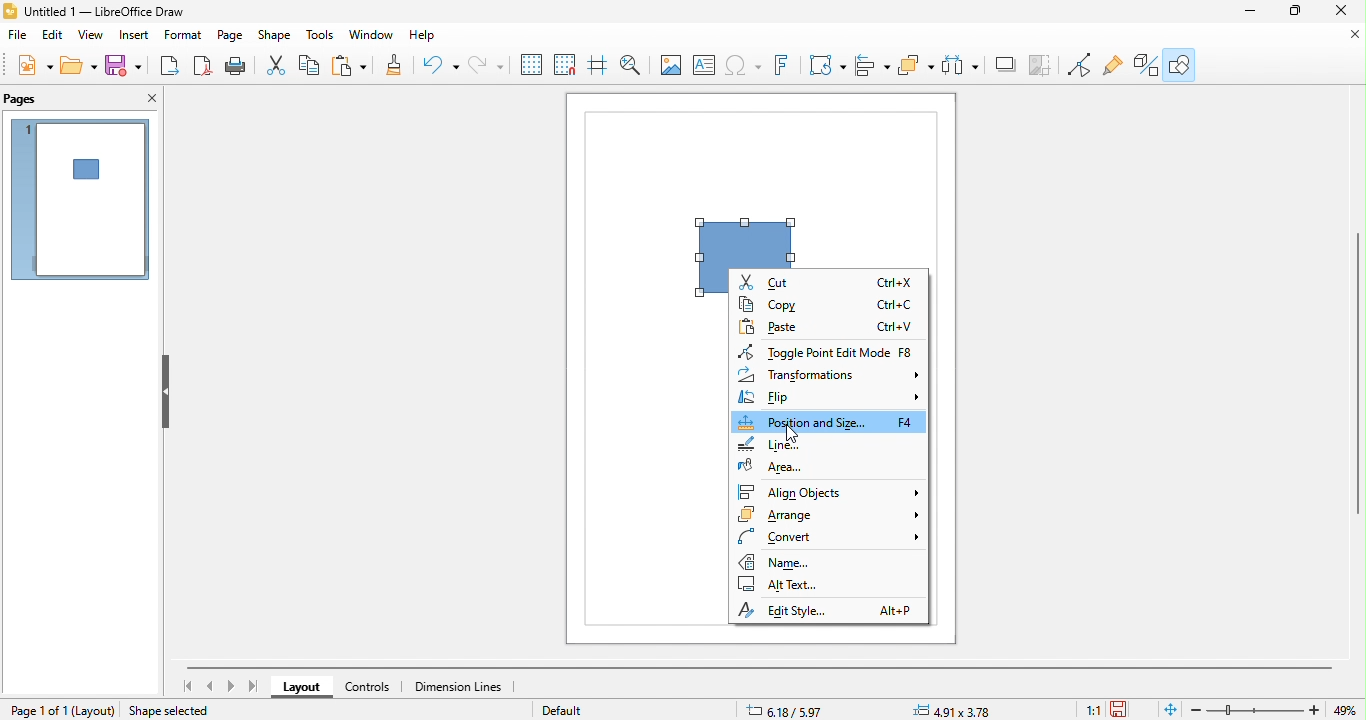 This screenshot has height=720, width=1366. What do you see at coordinates (123, 65) in the screenshot?
I see `save` at bounding box center [123, 65].